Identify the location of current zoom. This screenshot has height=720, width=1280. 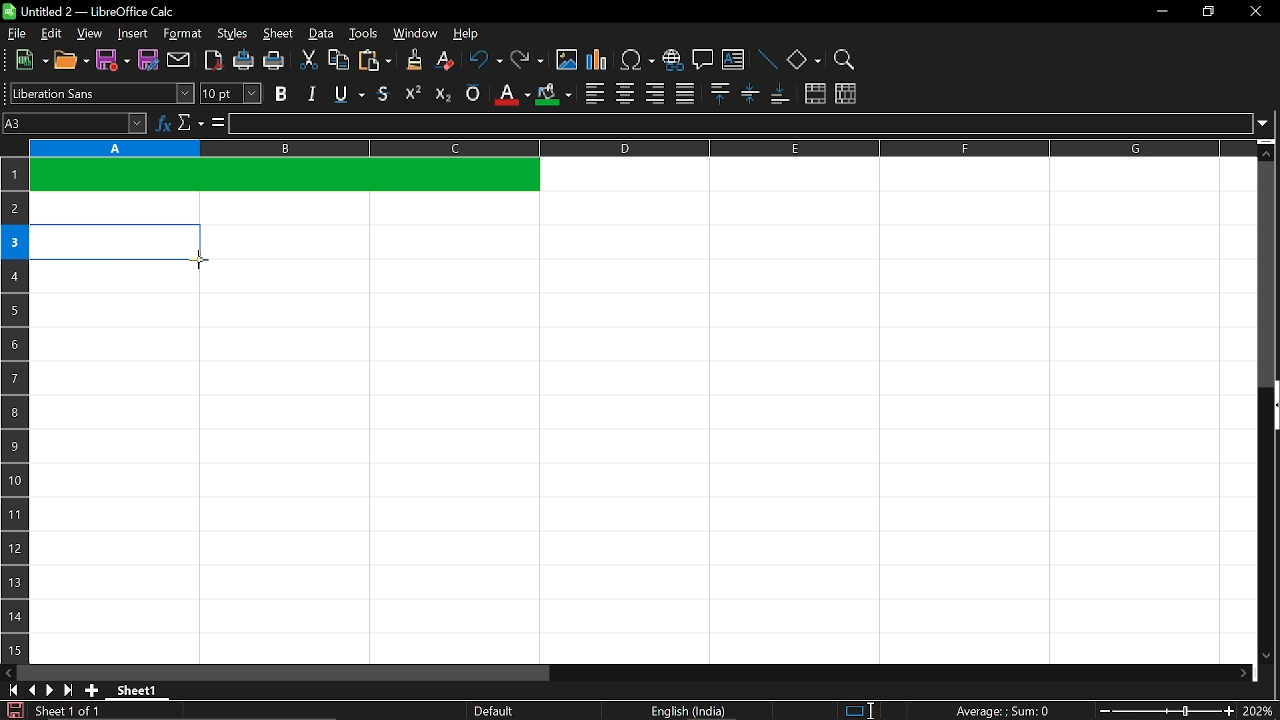
(1260, 712).